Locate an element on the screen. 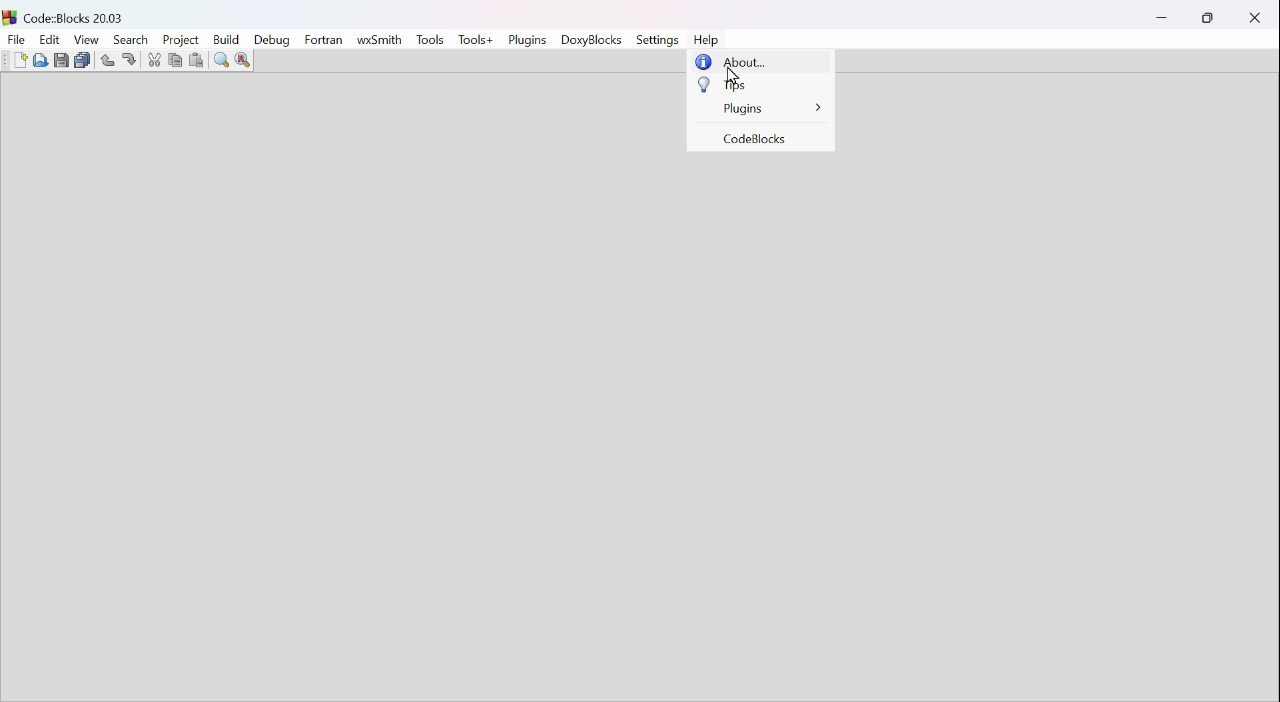 This screenshot has height=702, width=1280. Find is located at coordinates (218, 60).